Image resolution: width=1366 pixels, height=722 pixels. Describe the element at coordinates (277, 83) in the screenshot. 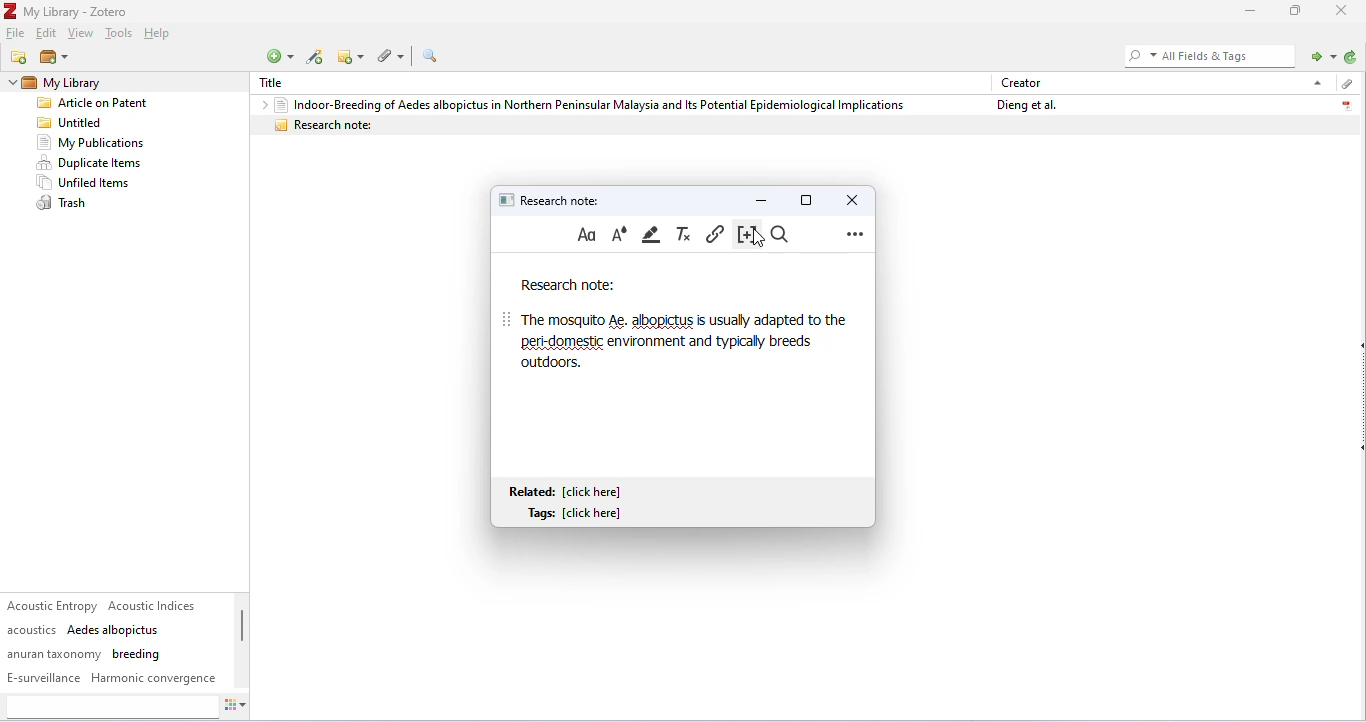

I see `title` at that location.